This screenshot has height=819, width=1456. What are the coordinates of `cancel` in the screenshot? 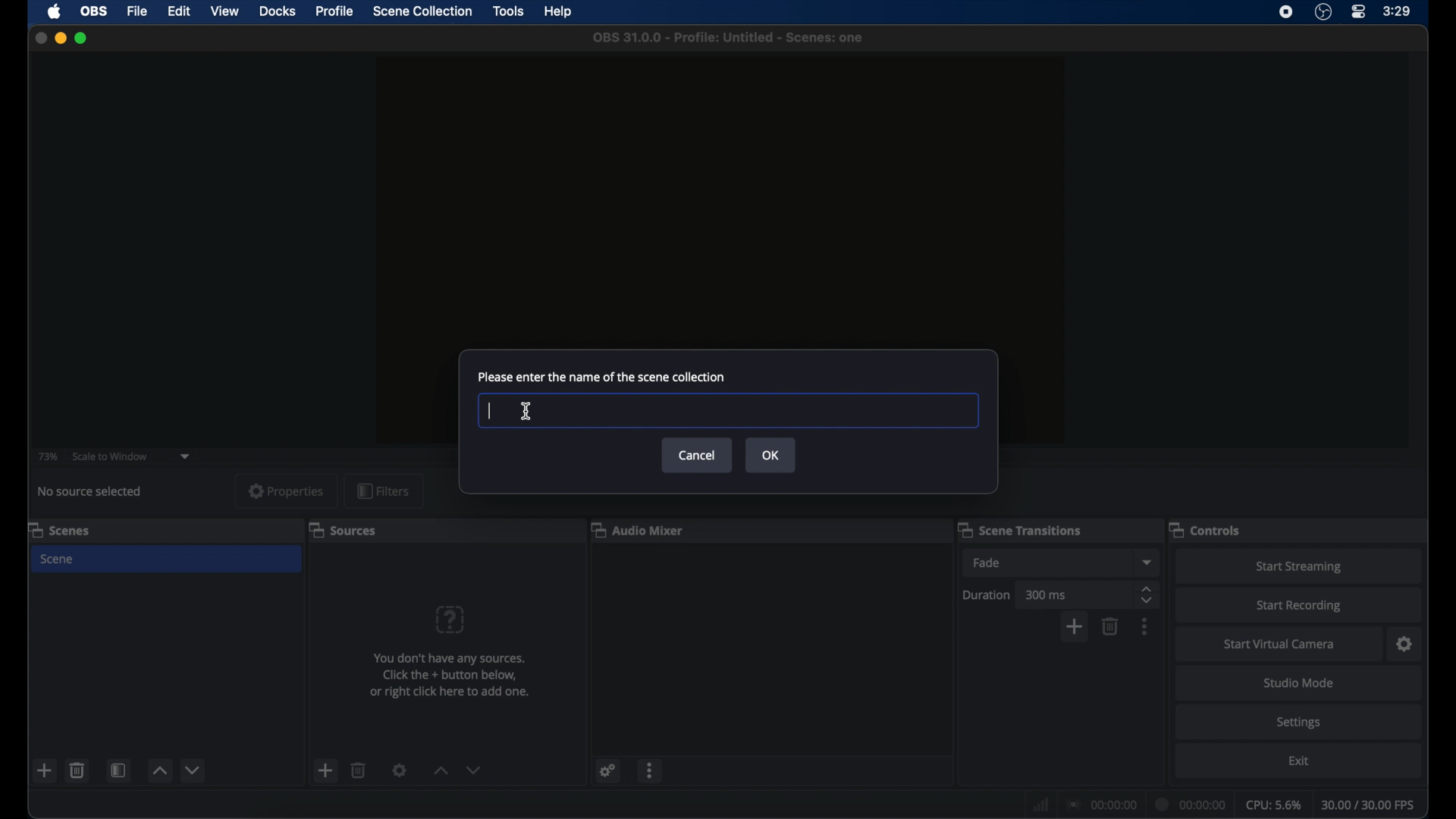 It's located at (697, 456).